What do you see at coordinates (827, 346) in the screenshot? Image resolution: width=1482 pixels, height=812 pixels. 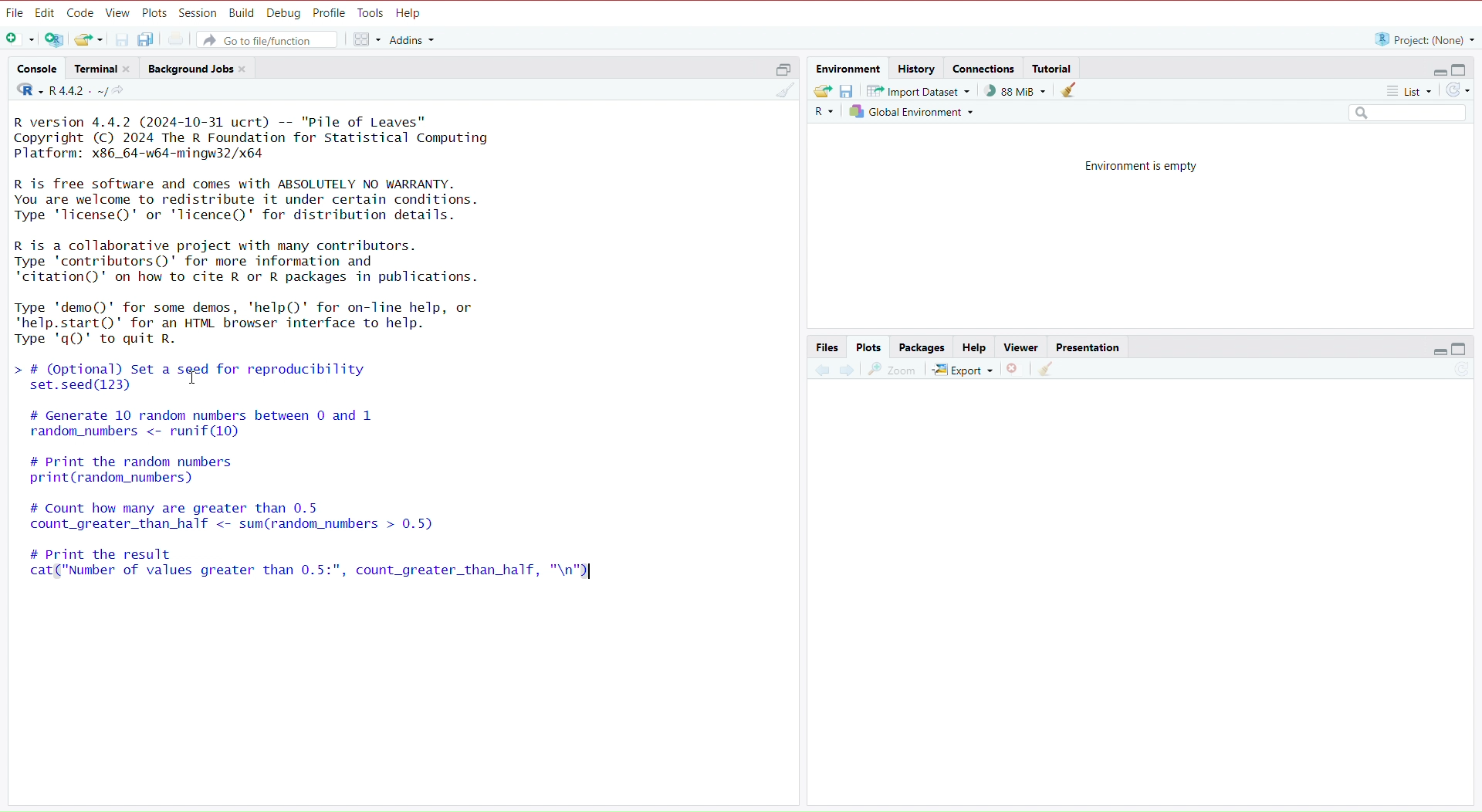 I see `Files` at bounding box center [827, 346].